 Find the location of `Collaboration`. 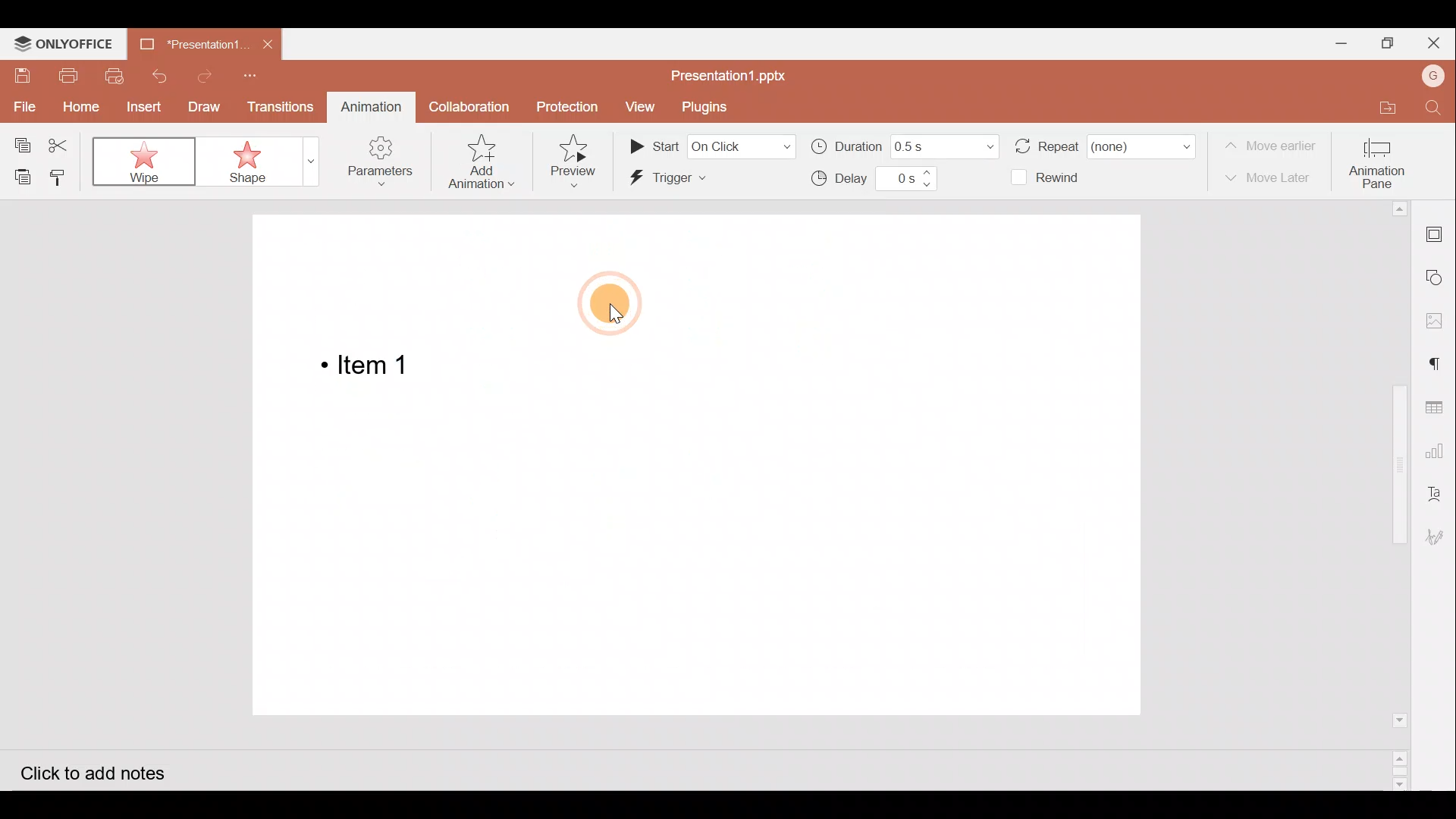

Collaboration is located at coordinates (470, 106).